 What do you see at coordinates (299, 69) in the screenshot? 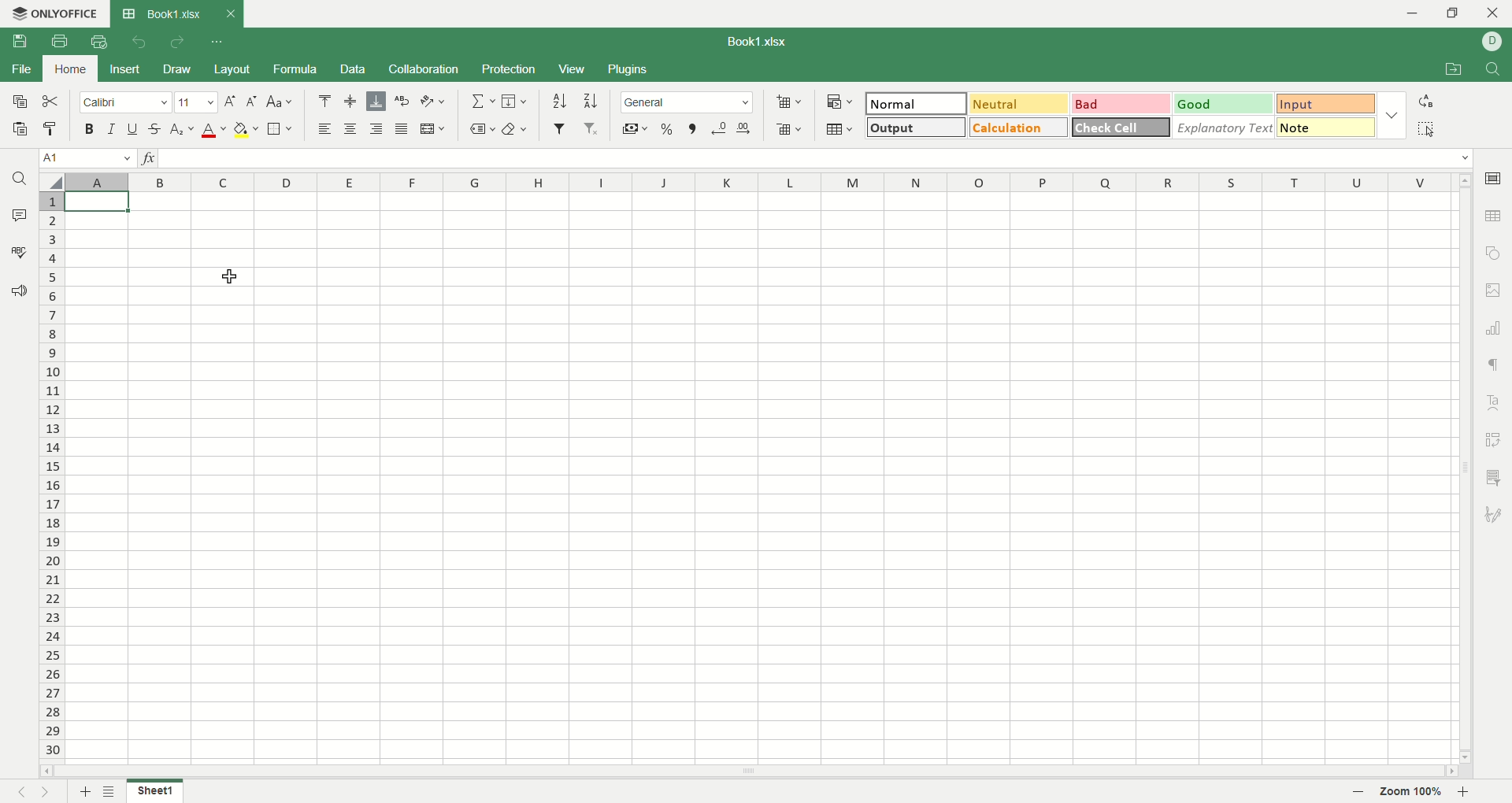
I see `formula` at bounding box center [299, 69].